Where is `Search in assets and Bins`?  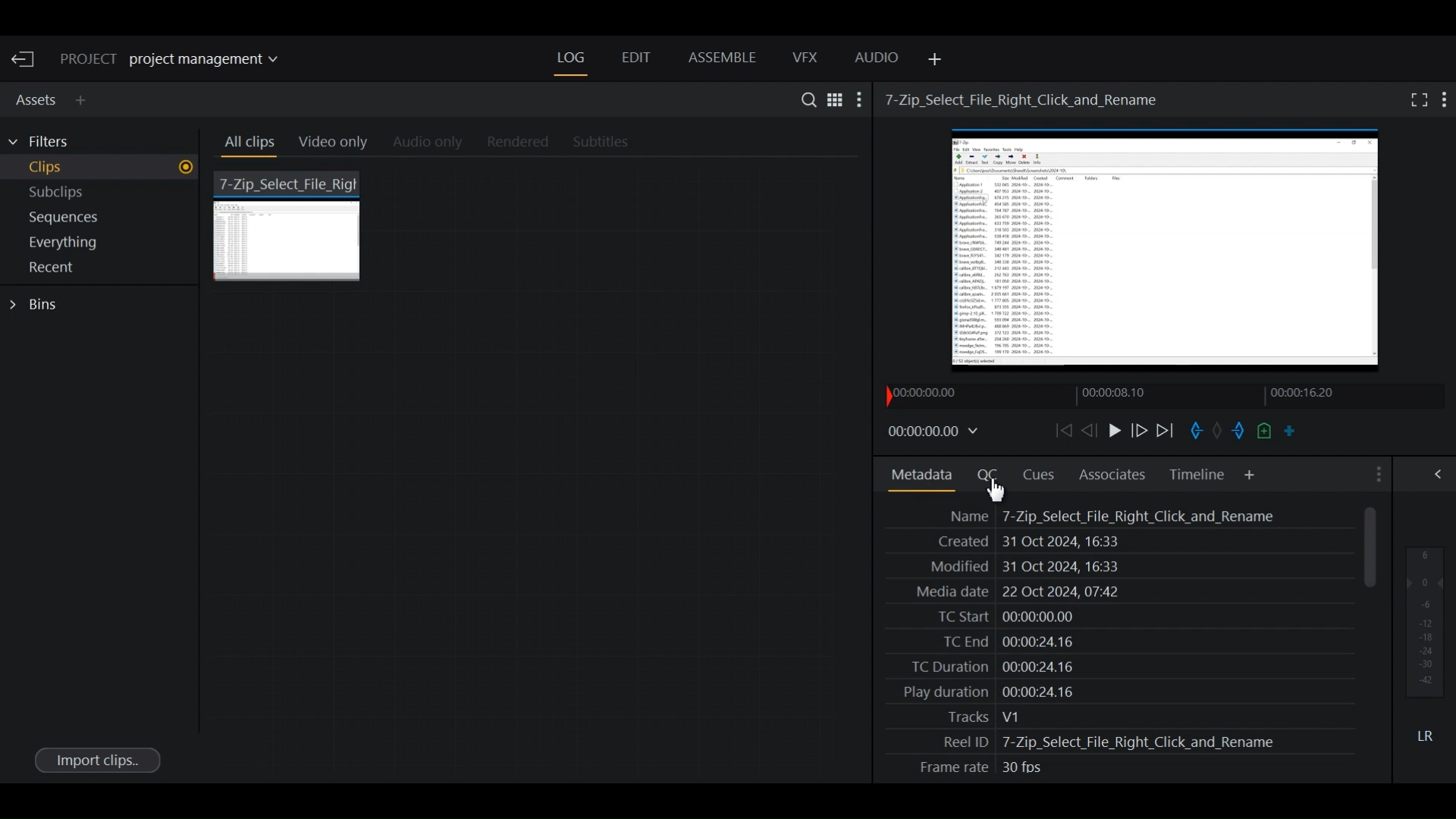
Search in assets and Bins is located at coordinates (805, 99).